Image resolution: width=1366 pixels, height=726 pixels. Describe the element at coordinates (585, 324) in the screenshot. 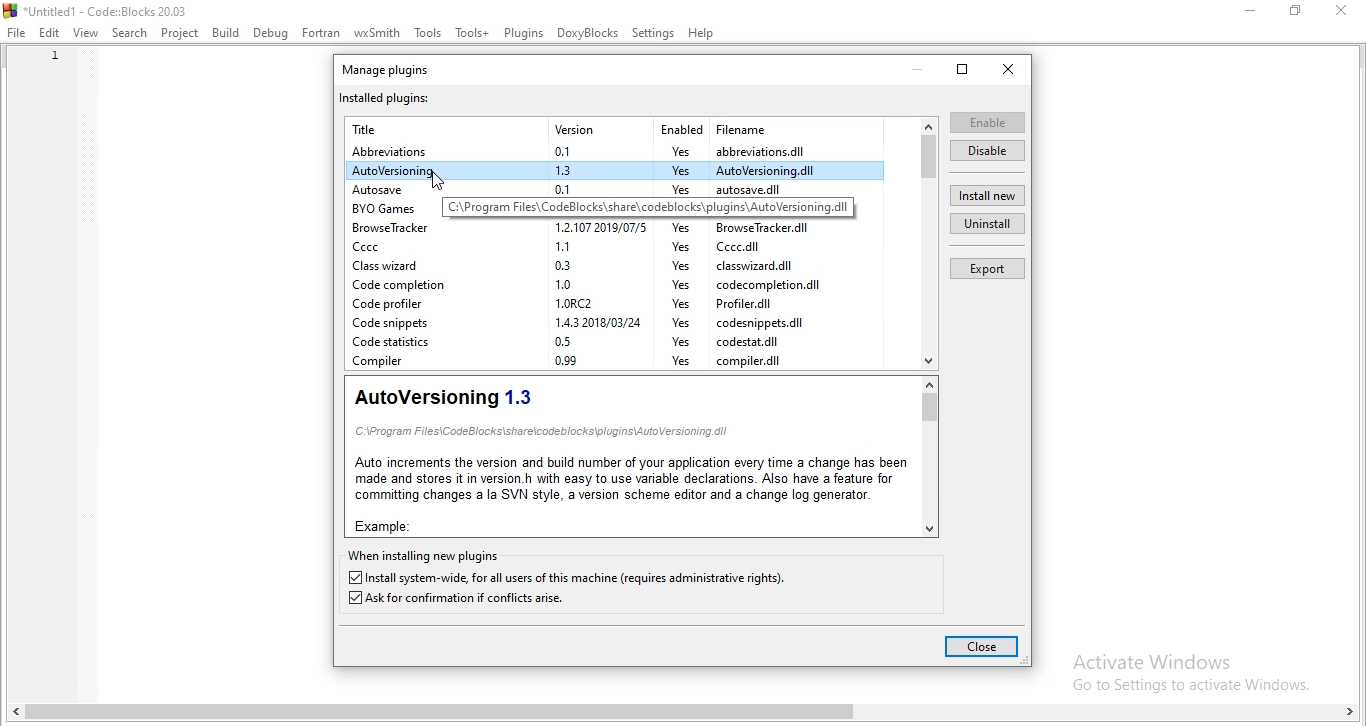

I see `‘Code snippets 1432018/03/24 Yes  codesnippets.dil` at that location.